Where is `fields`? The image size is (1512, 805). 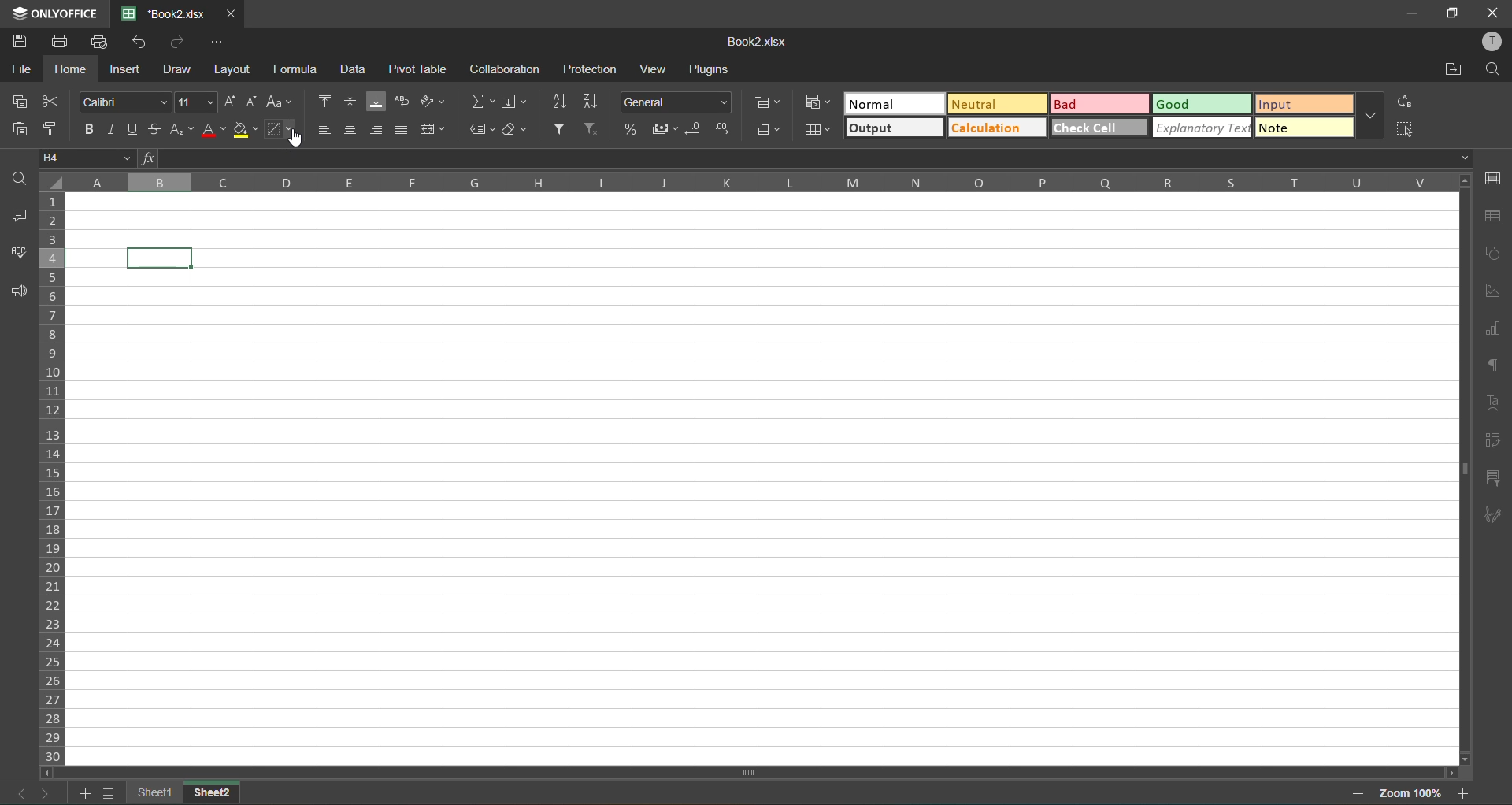 fields is located at coordinates (515, 101).